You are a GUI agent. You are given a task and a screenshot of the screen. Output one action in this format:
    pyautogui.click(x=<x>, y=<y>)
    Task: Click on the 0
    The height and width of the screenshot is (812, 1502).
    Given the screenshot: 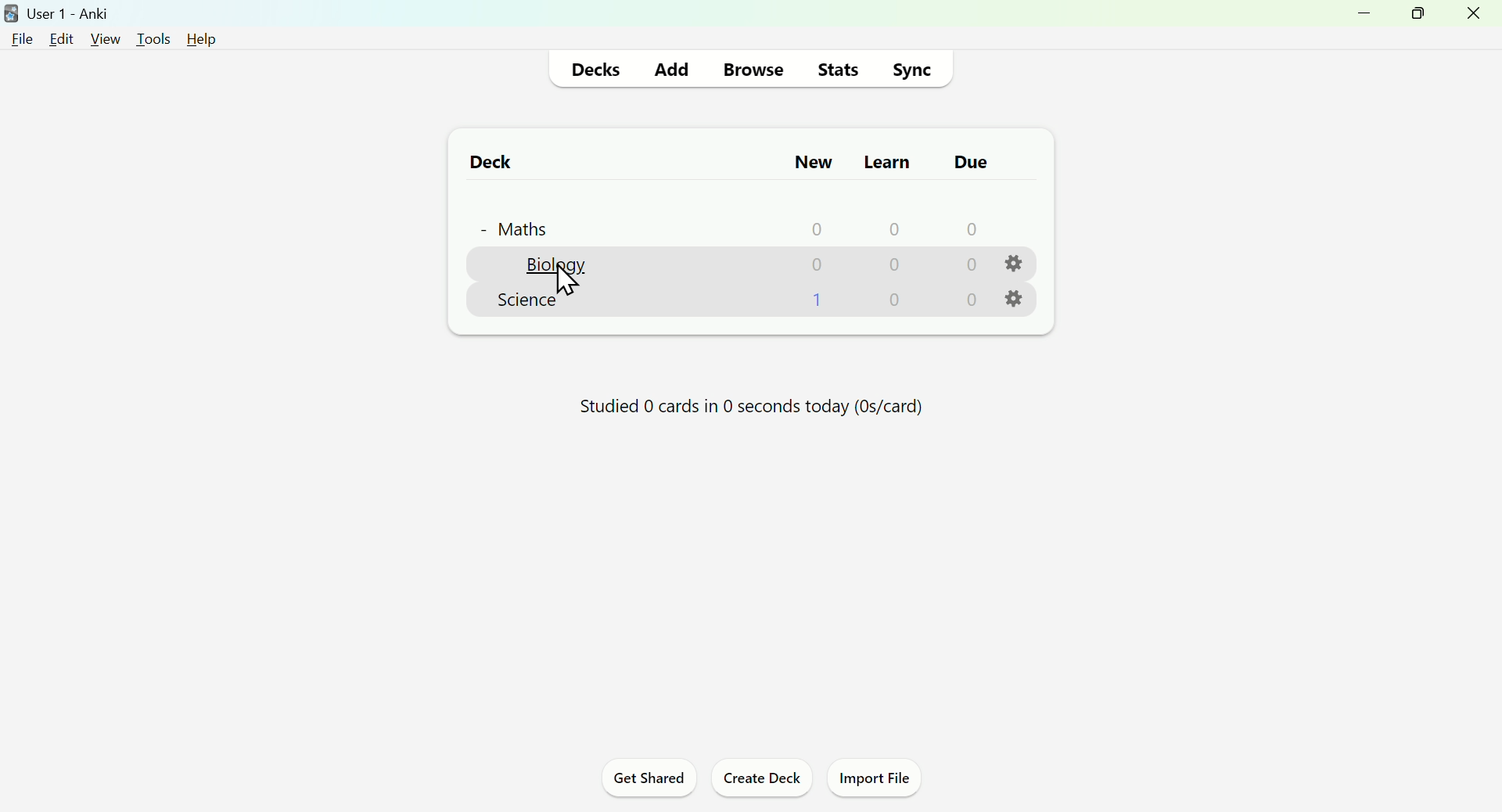 What is the action you would take?
    pyautogui.click(x=897, y=300)
    